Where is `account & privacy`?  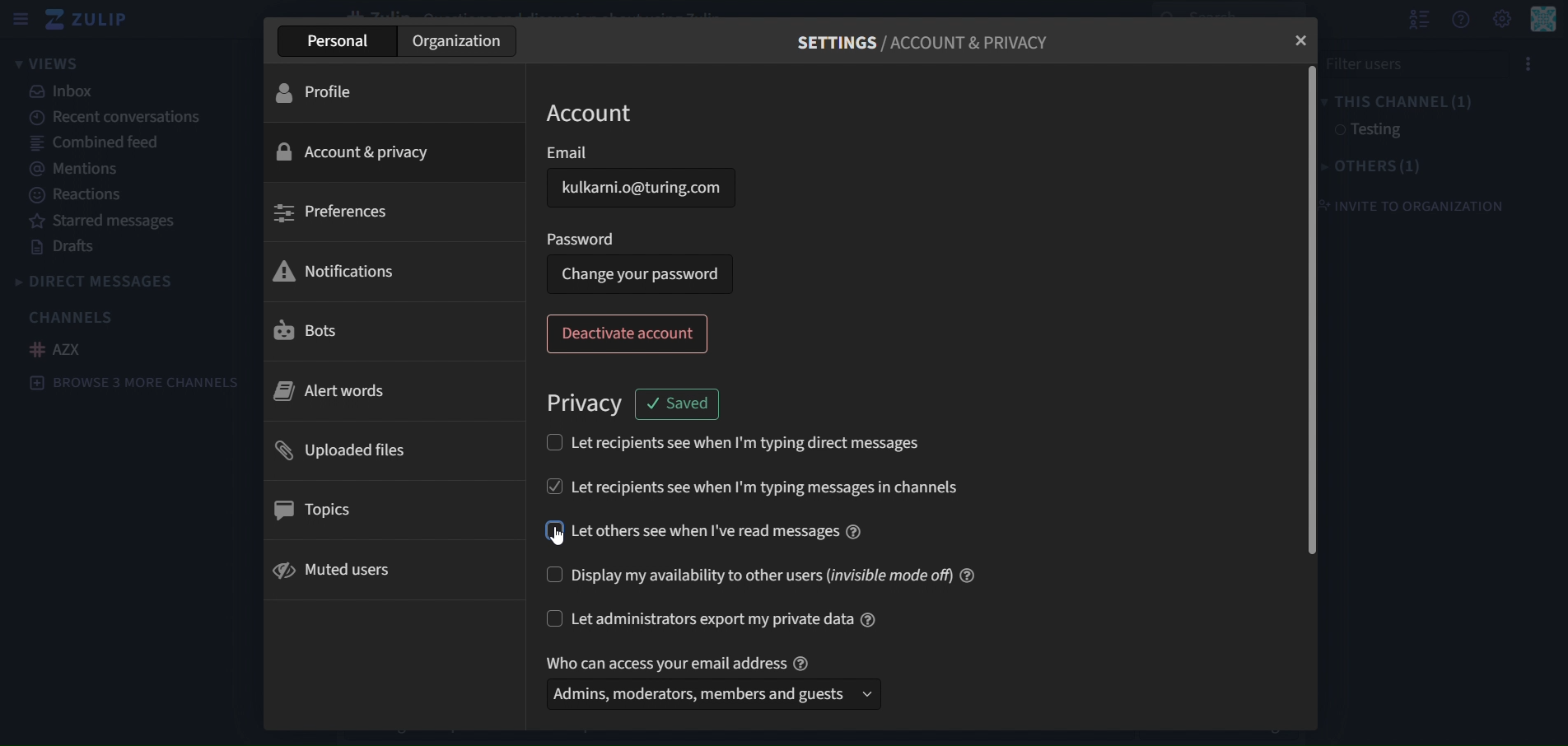 account & privacy is located at coordinates (362, 152).